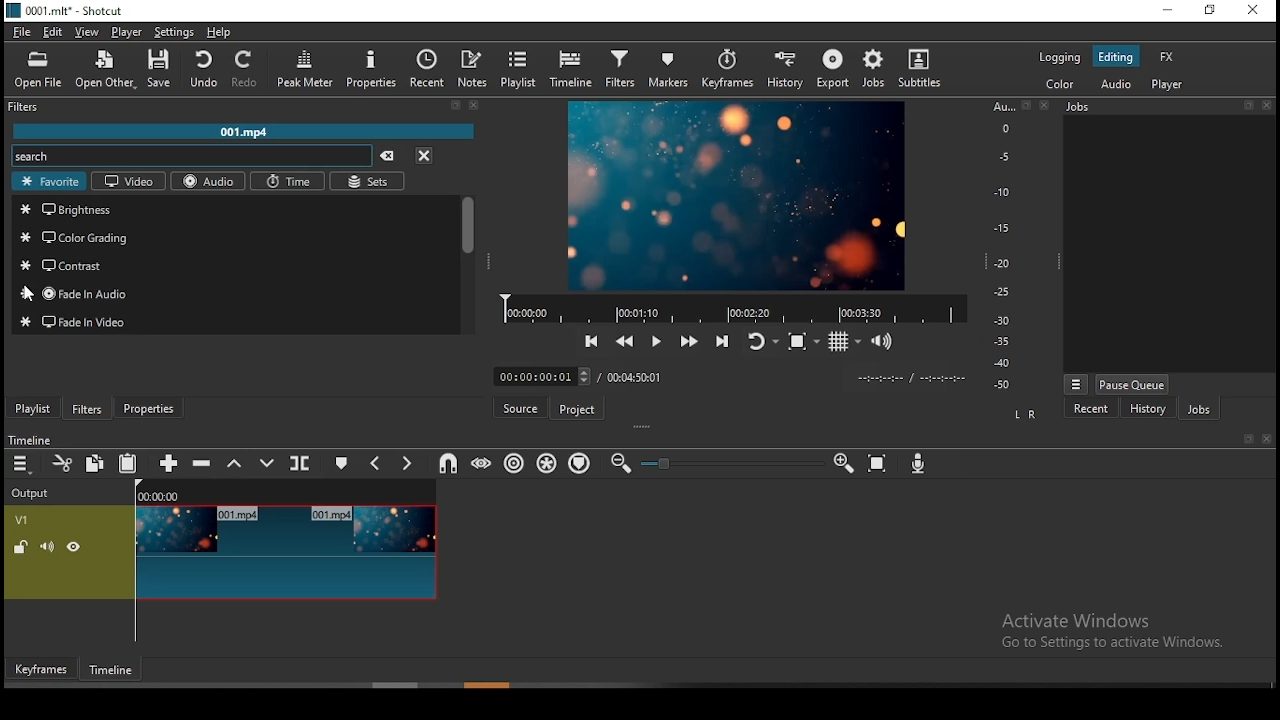  I want to click on timeline, so click(31, 437).